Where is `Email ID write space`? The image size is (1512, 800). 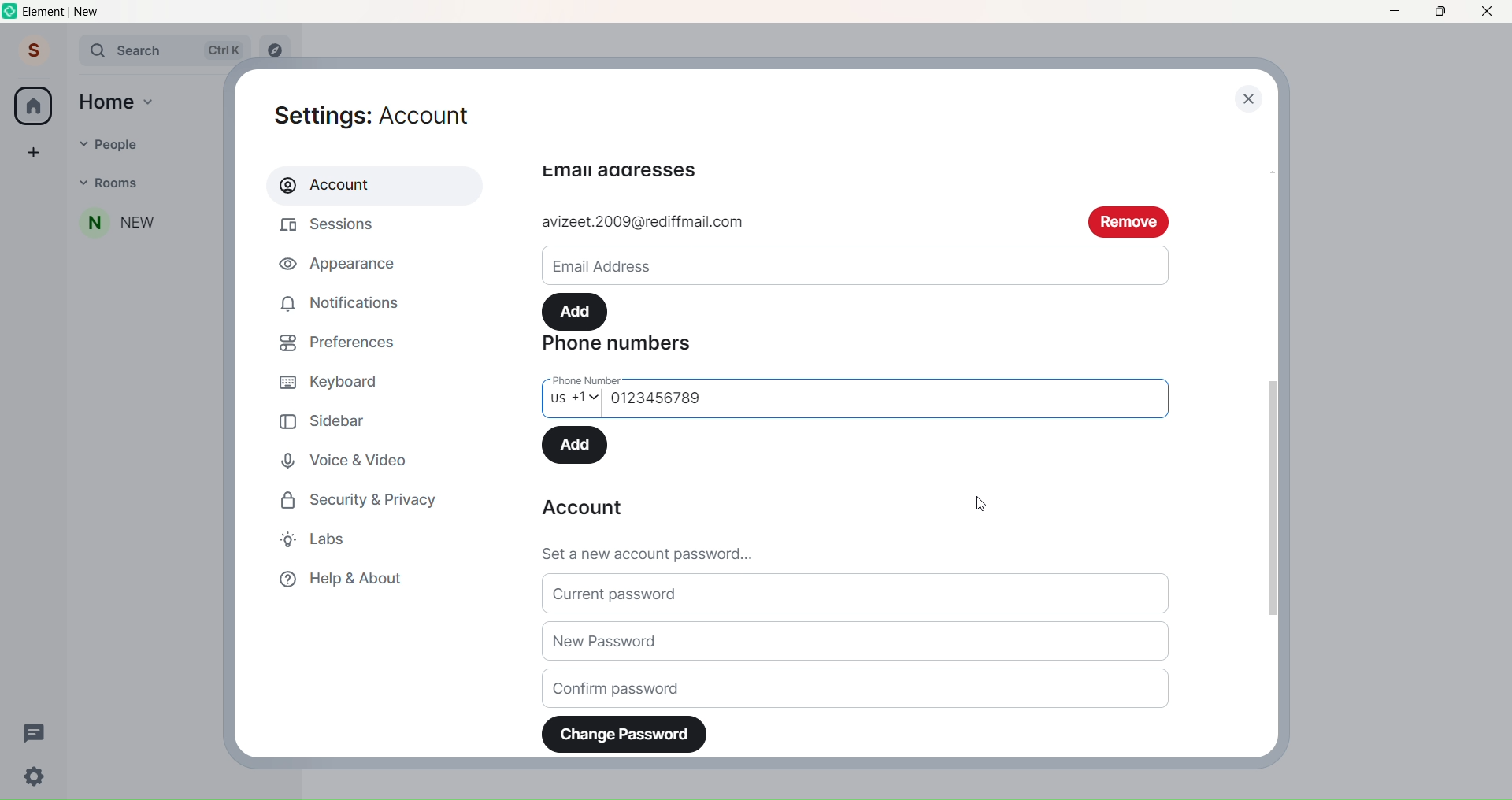 Email ID write space is located at coordinates (854, 263).